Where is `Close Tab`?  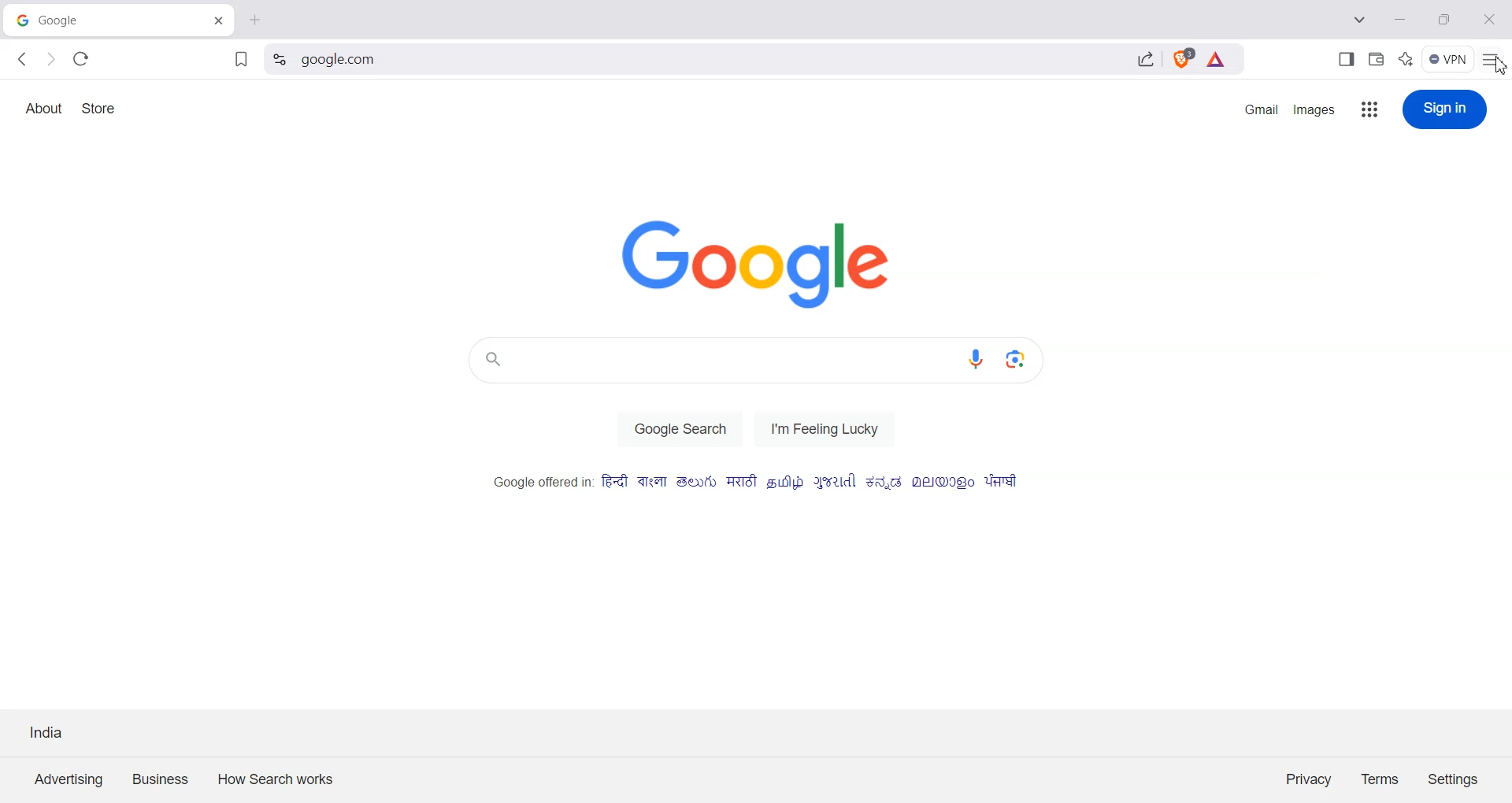 Close Tab is located at coordinates (219, 18).